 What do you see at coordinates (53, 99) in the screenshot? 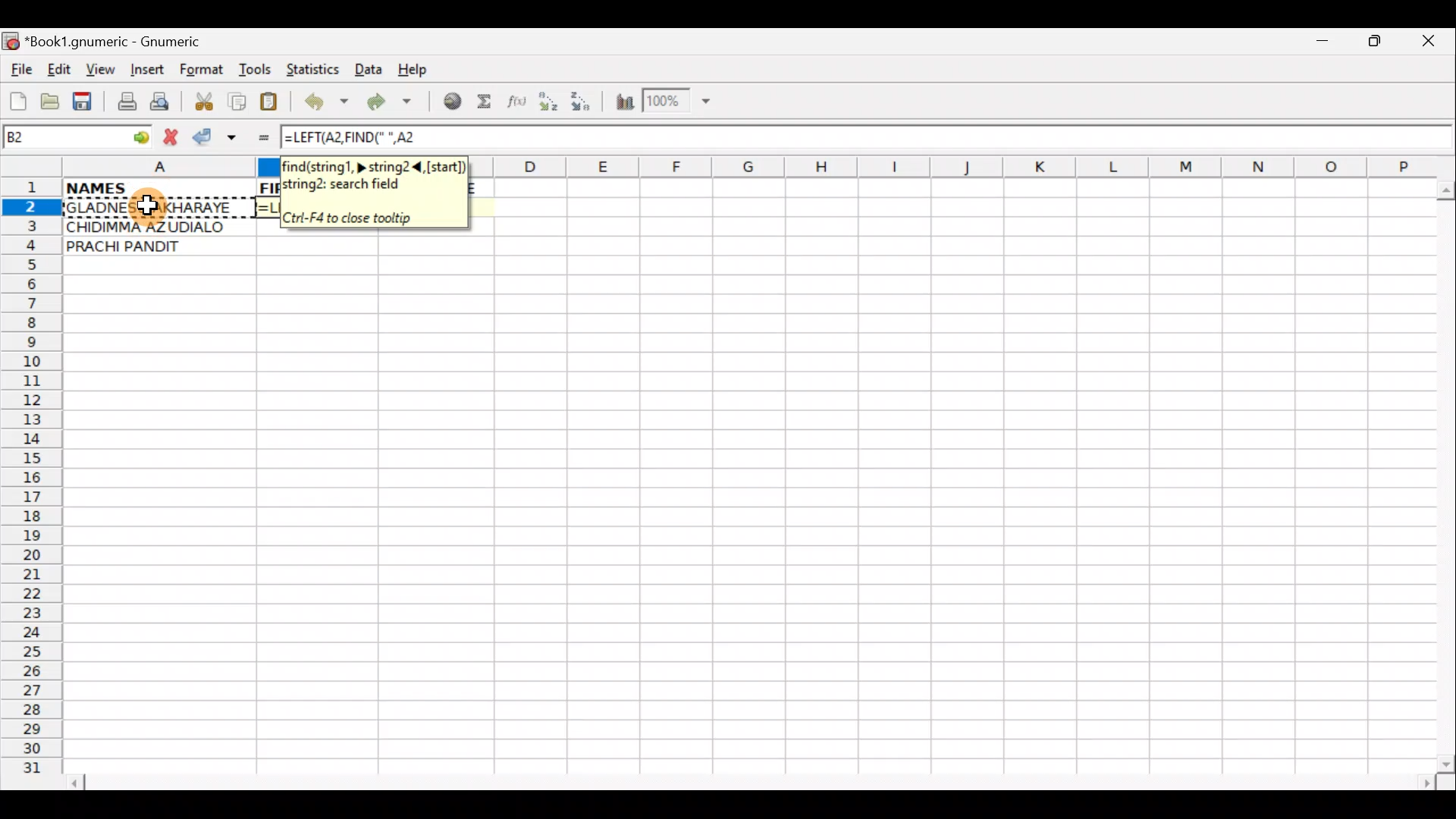
I see `Open a file` at bounding box center [53, 99].